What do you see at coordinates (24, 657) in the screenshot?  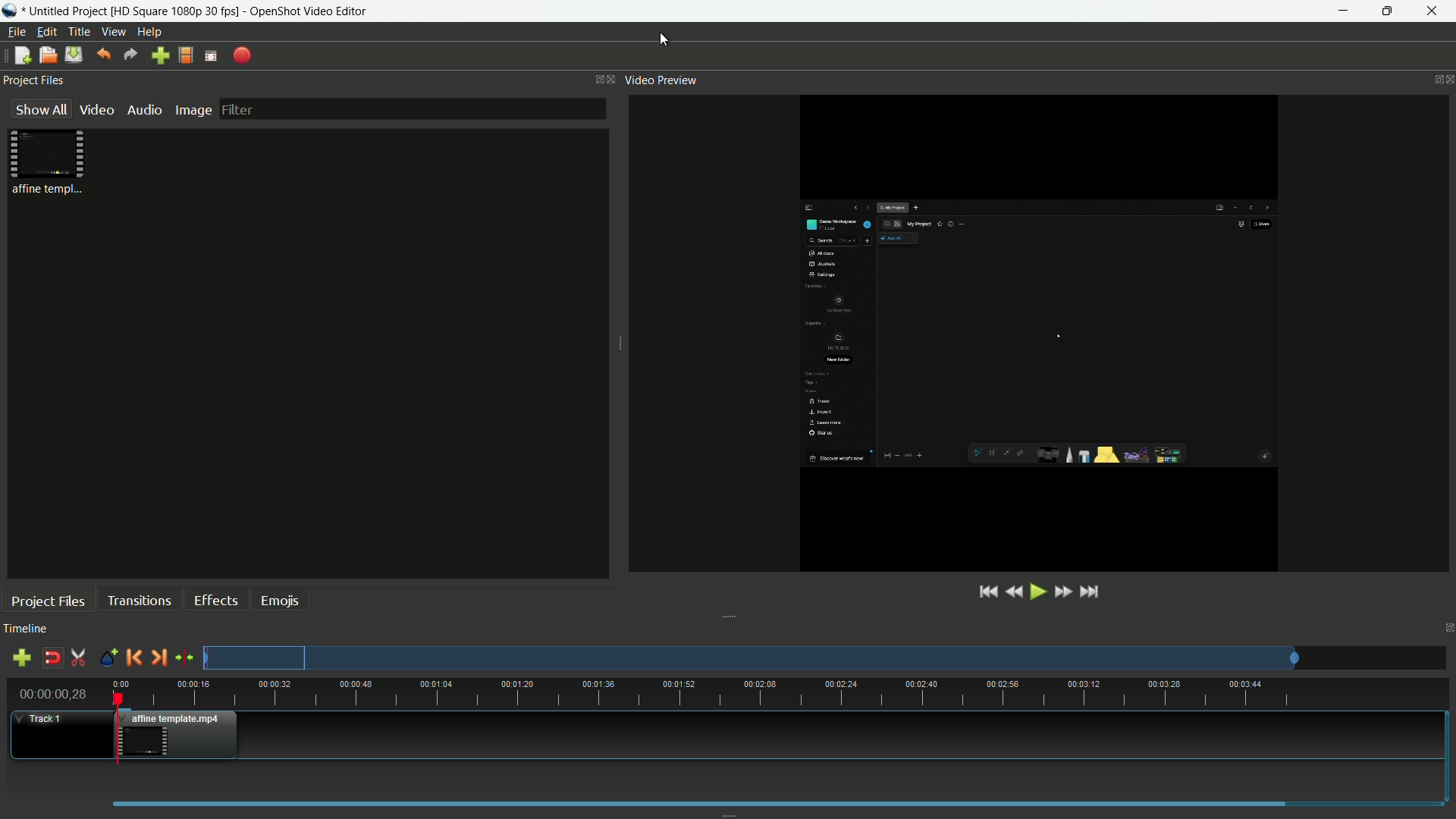 I see `add track` at bounding box center [24, 657].